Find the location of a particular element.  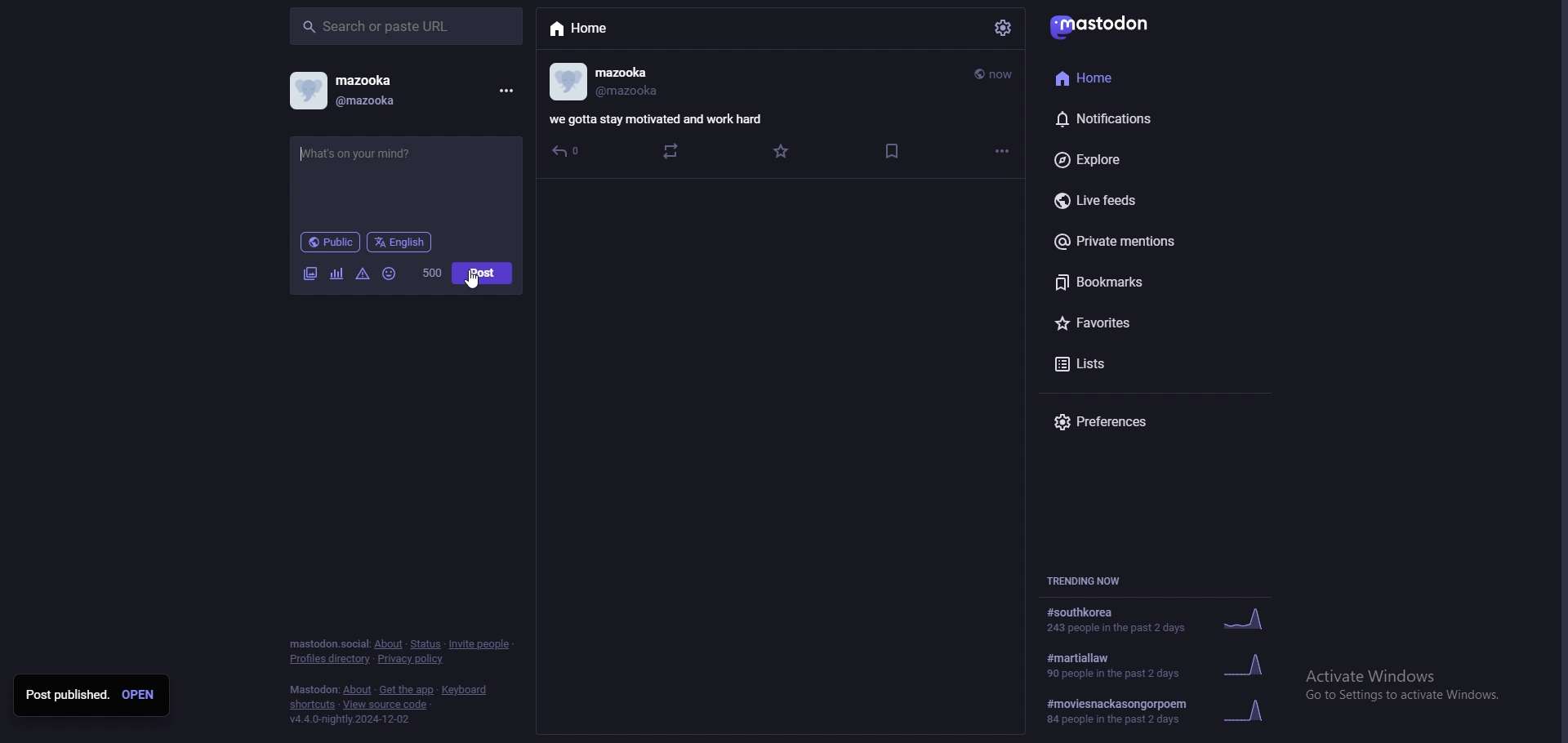

profiles directory is located at coordinates (331, 659).